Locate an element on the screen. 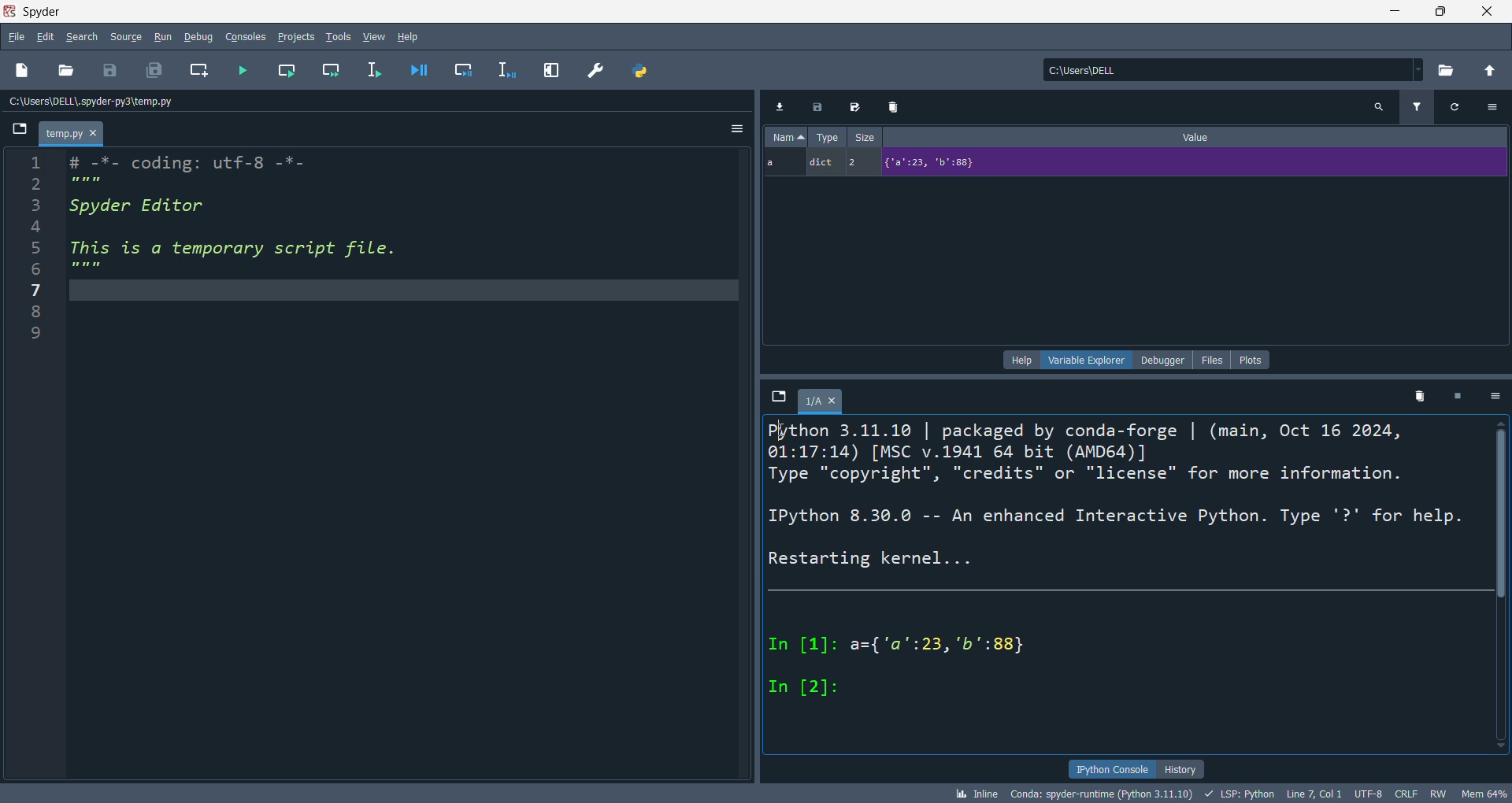 Image resolution: width=1512 pixels, height=803 pixels. source is located at coordinates (123, 39).